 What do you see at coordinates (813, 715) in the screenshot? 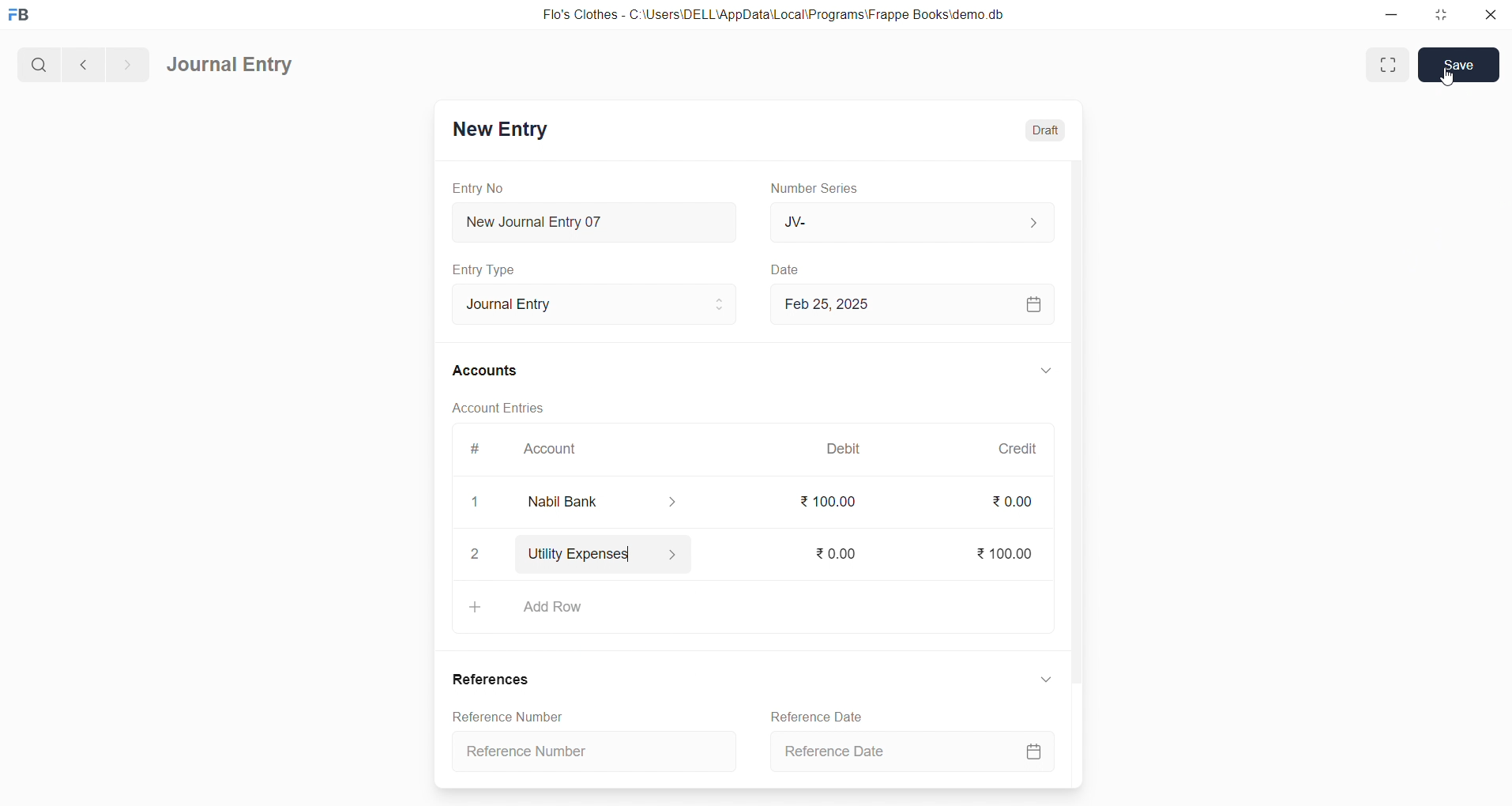
I see `Reference Date` at bounding box center [813, 715].